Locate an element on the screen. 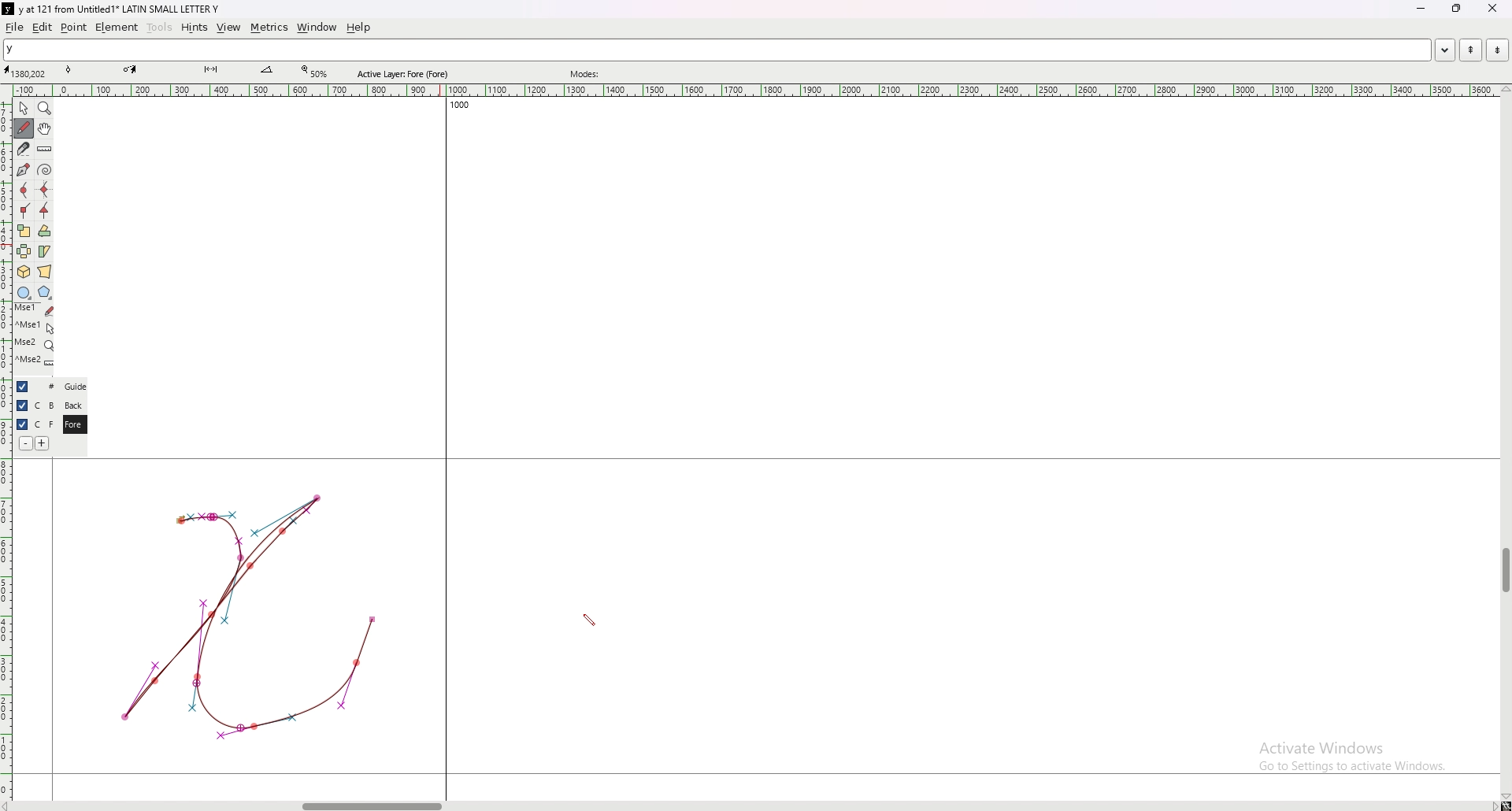 The height and width of the screenshot is (811, 1512). view is located at coordinates (229, 28).